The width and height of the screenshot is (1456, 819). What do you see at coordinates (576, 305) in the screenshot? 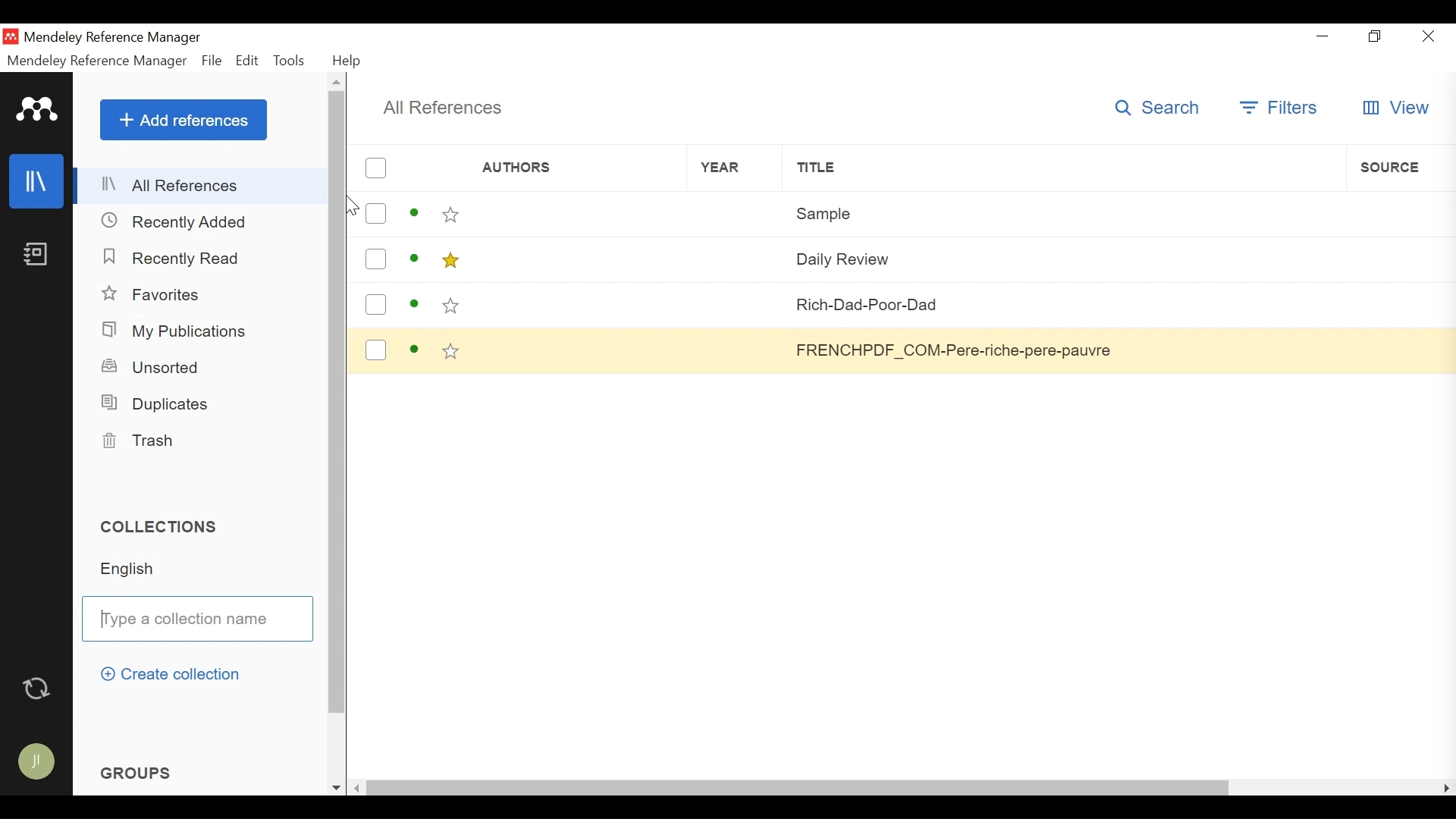
I see `Authors` at bounding box center [576, 305].